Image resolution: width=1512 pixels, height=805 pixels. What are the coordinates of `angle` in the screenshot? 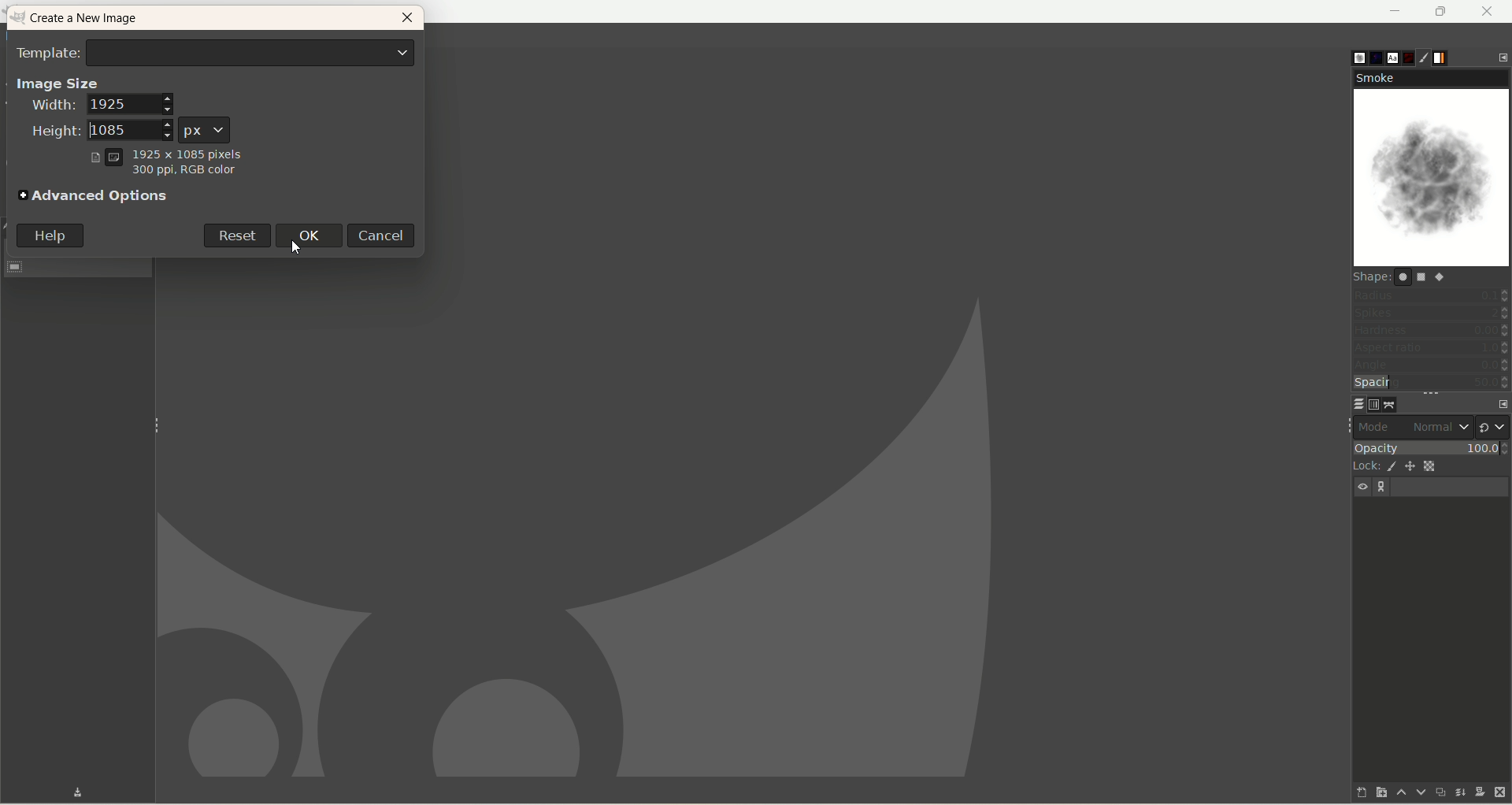 It's located at (1430, 366).